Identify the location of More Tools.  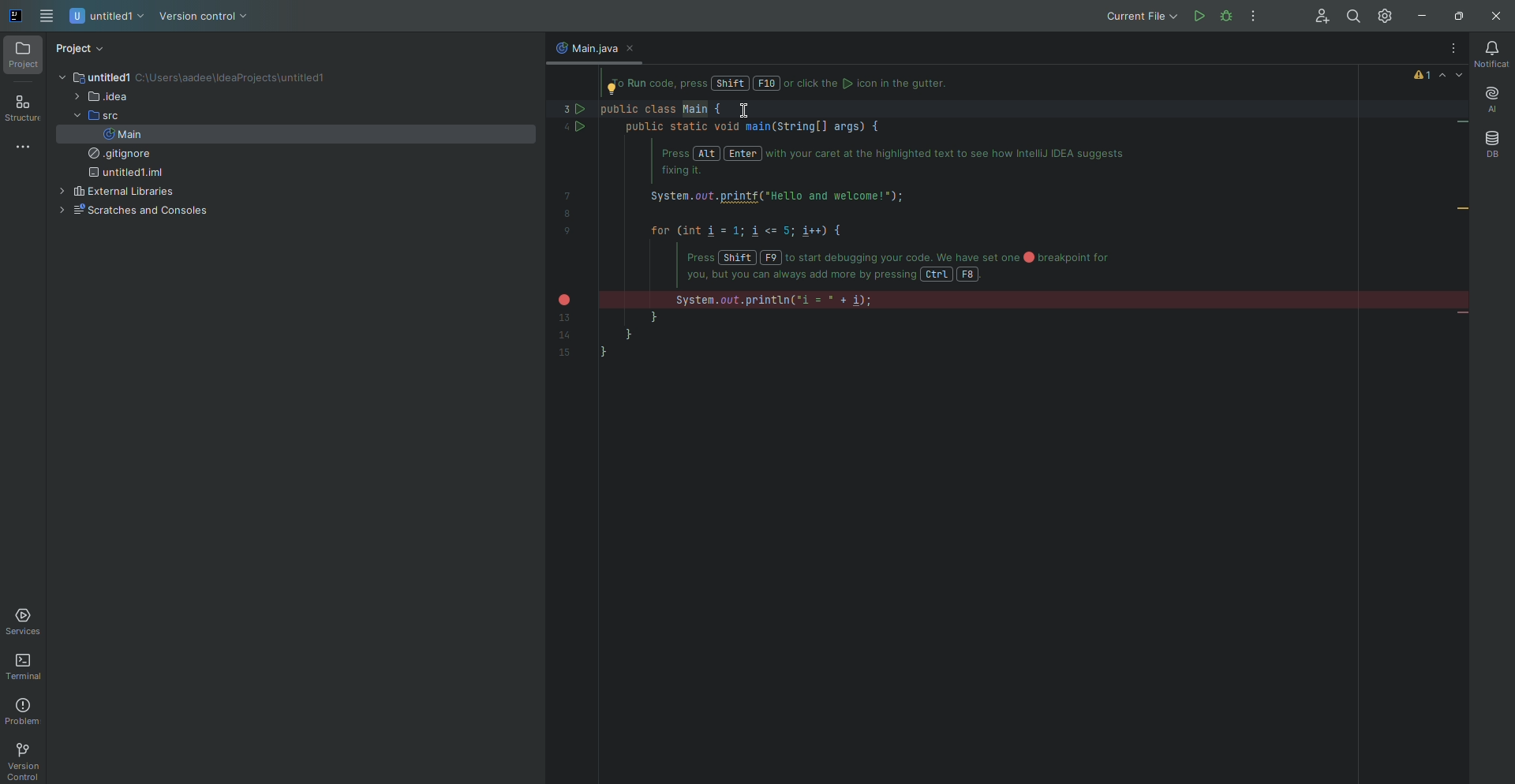
(26, 146).